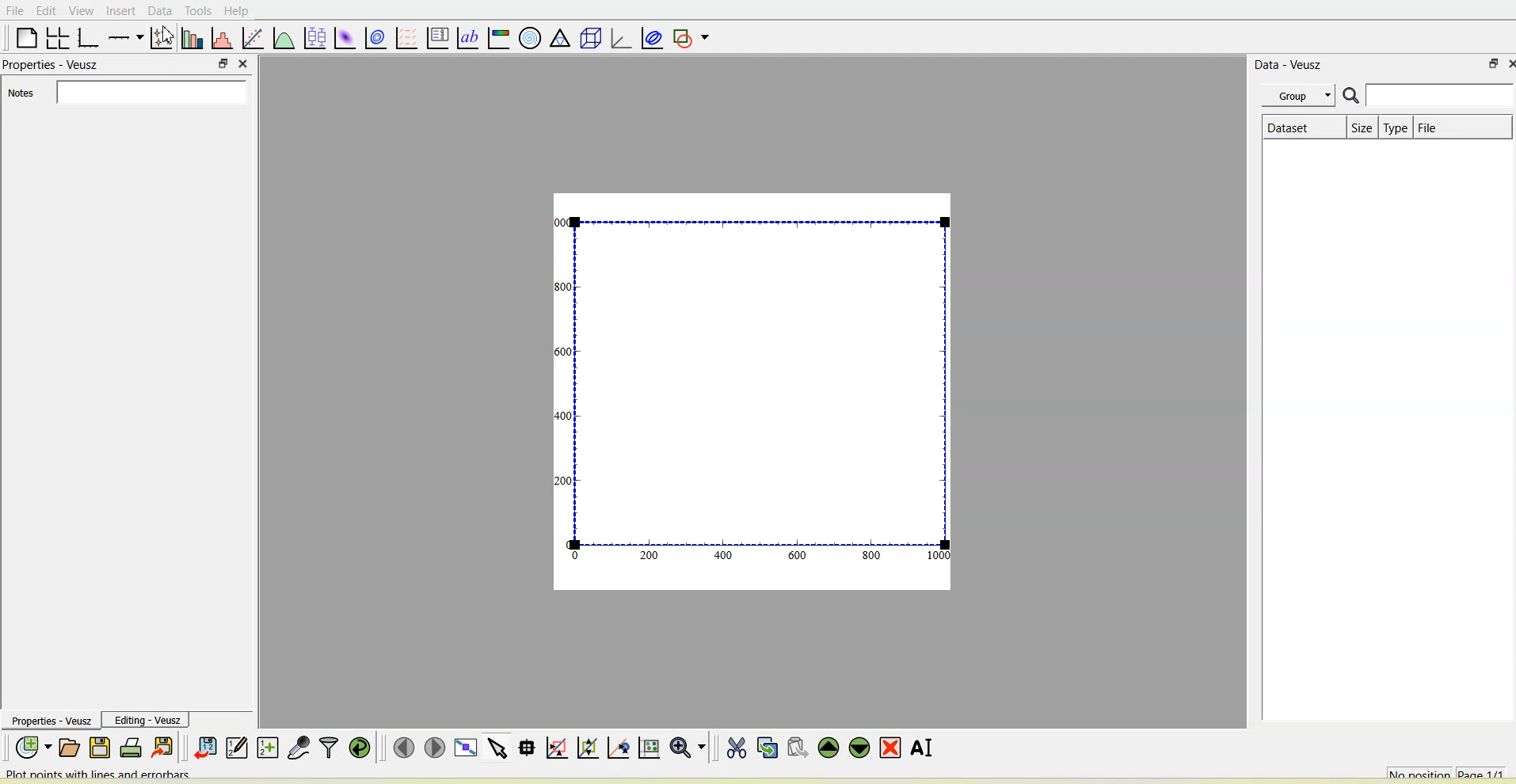  What do you see at coordinates (1506, 64) in the screenshot?
I see `close` at bounding box center [1506, 64].